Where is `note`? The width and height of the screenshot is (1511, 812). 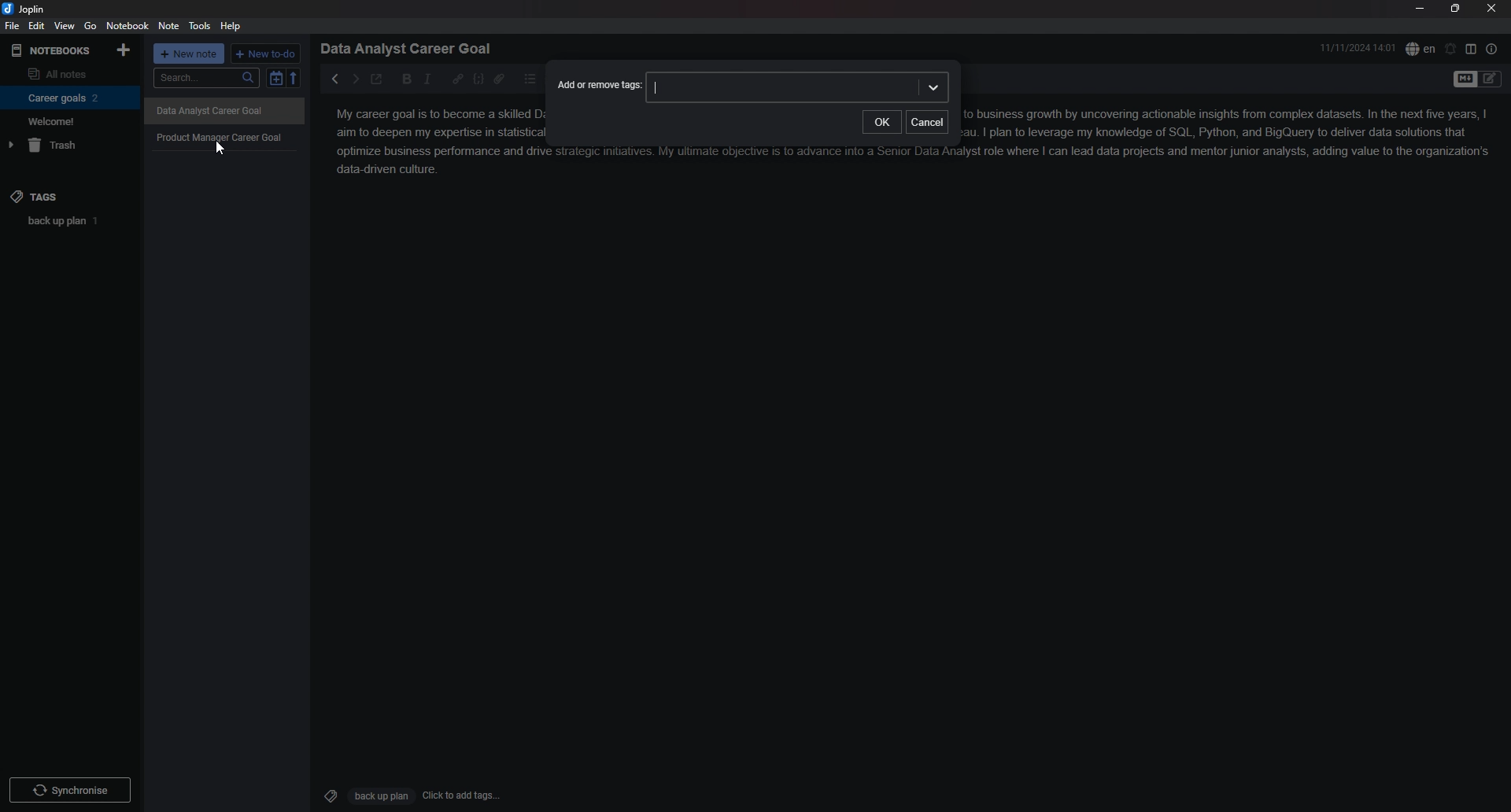 note is located at coordinates (170, 25).